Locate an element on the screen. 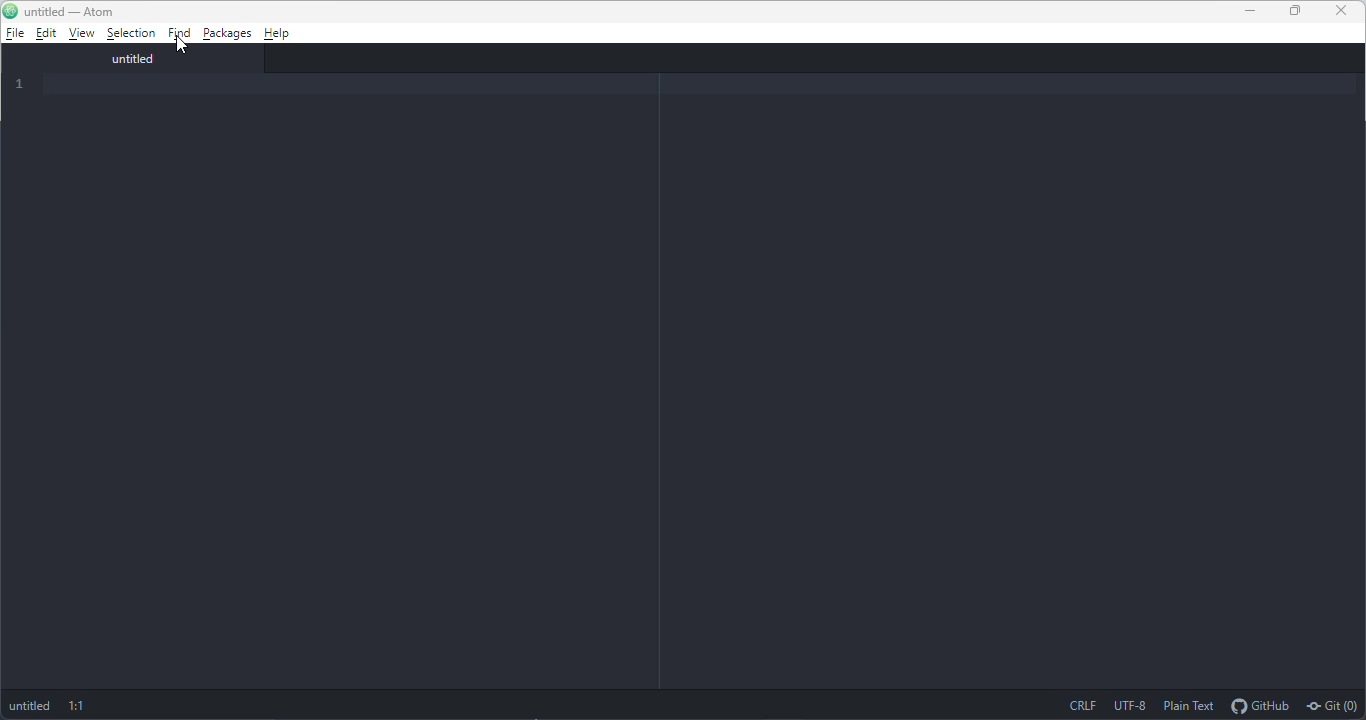 This screenshot has height=720, width=1366. selection is located at coordinates (130, 34).